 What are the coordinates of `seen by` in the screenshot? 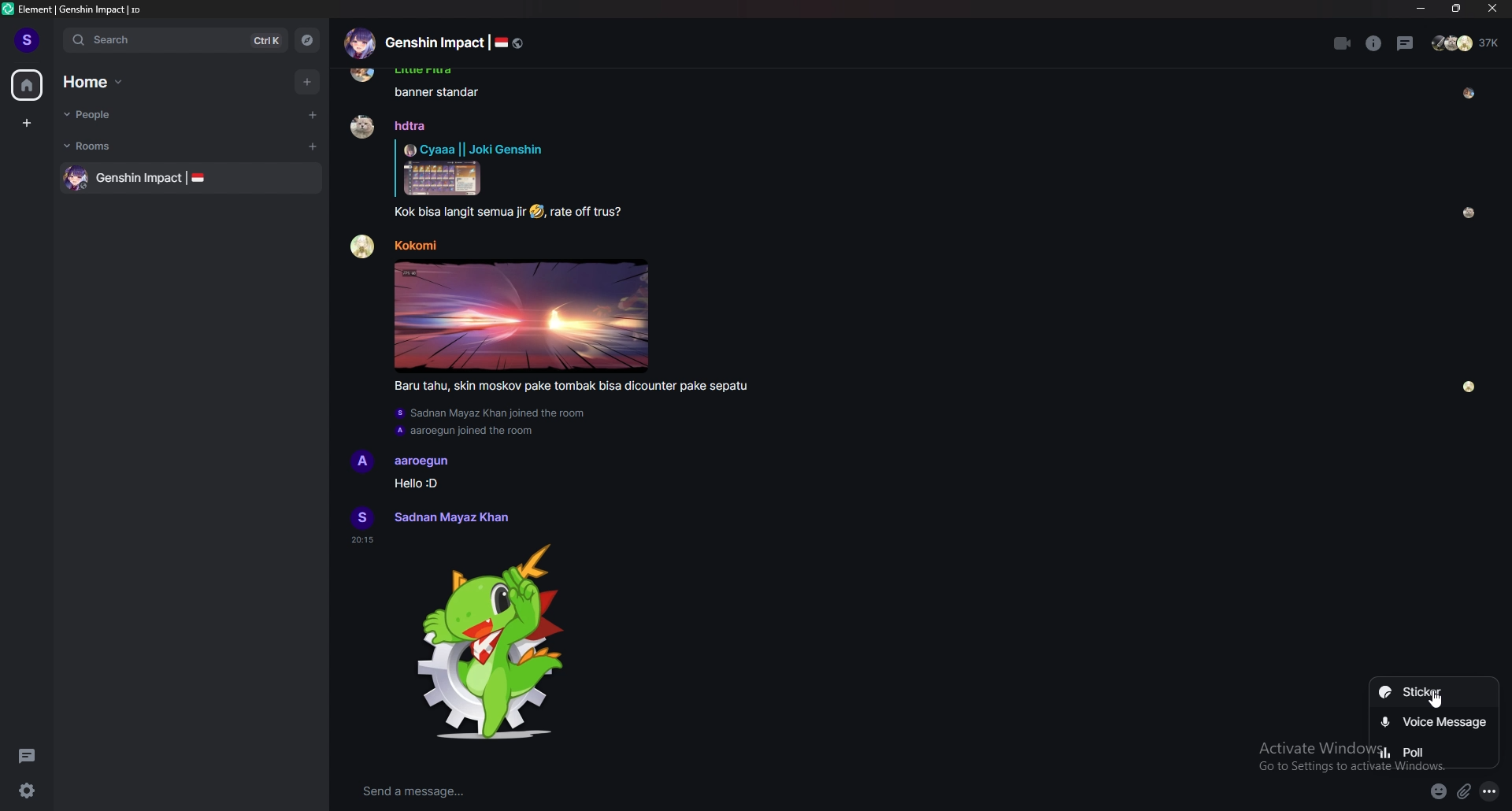 It's located at (1469, 387).